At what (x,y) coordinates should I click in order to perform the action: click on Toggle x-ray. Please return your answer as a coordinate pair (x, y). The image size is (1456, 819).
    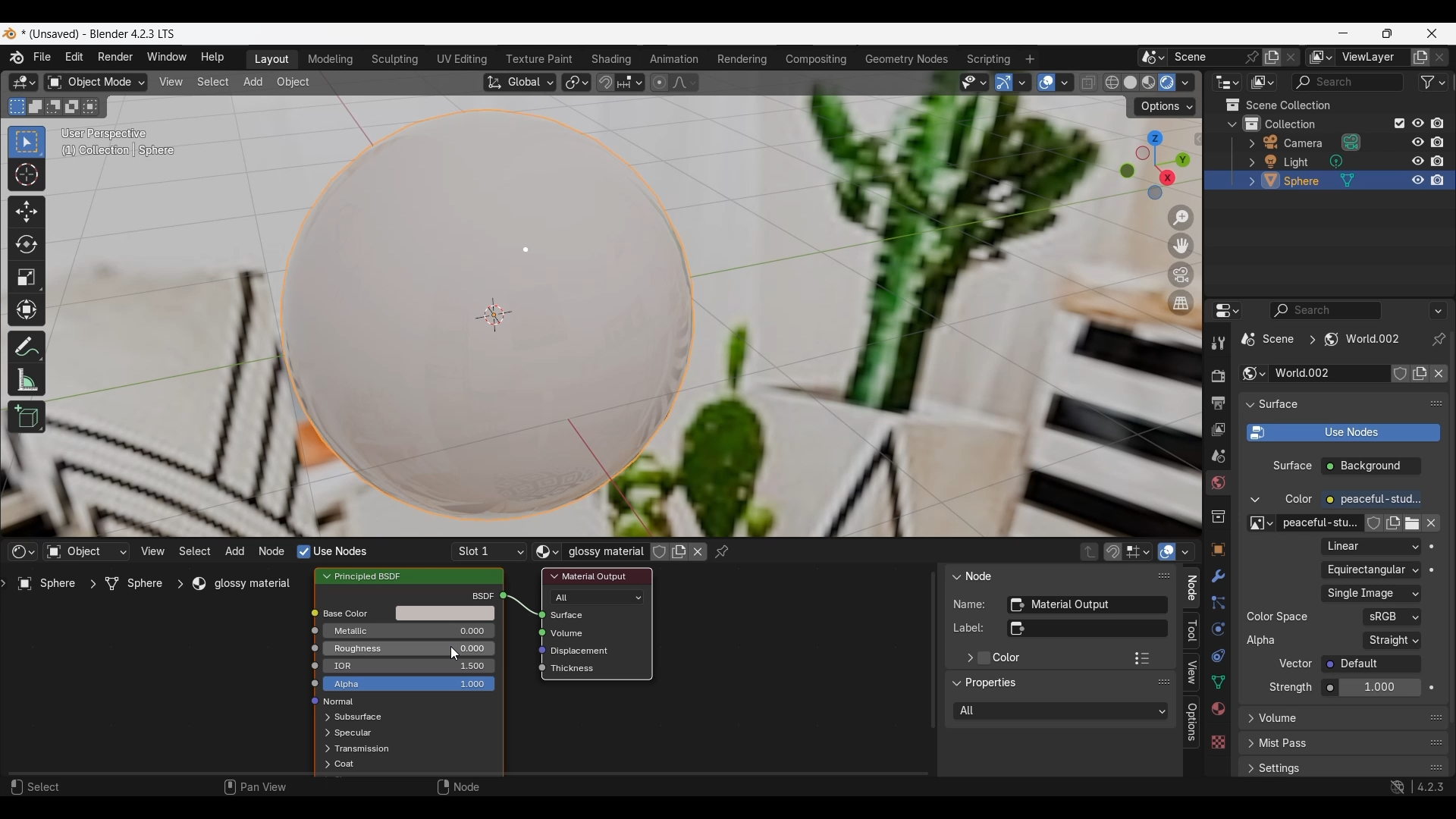
    Looking at the image, I should click on (1089, 82).